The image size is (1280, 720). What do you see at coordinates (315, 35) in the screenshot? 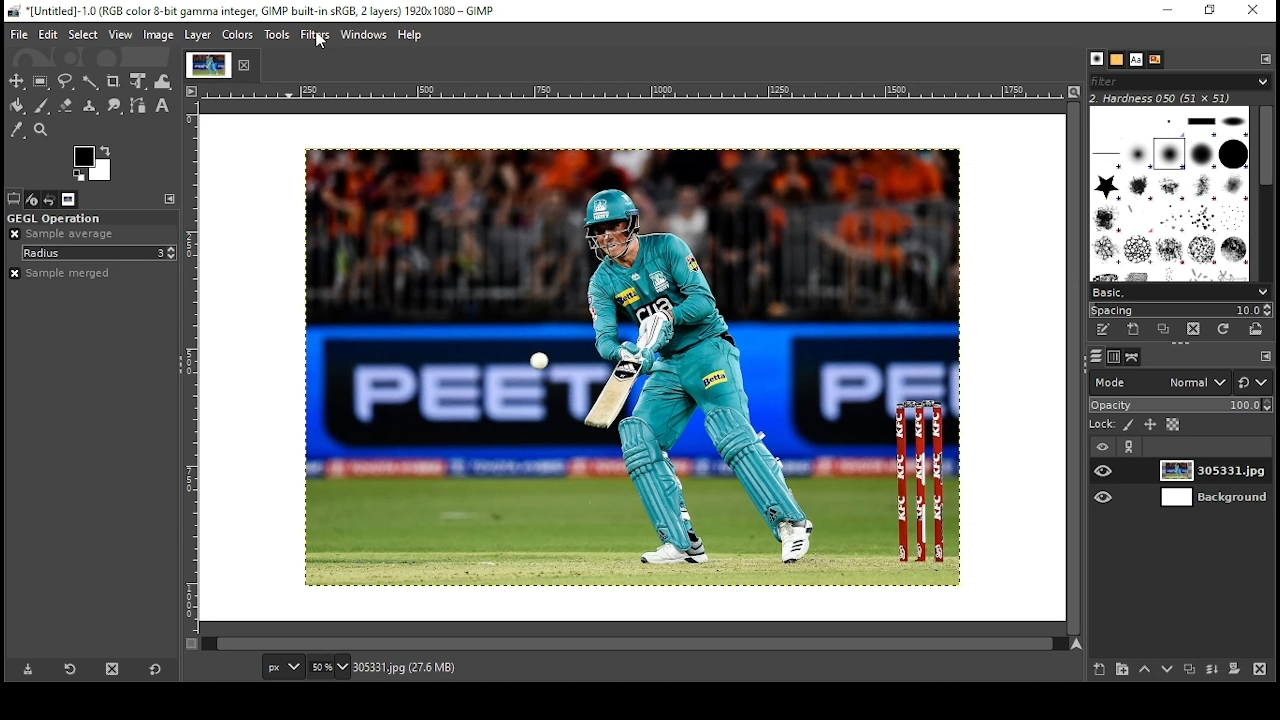
I see `filters` at bounding box center [315, 35].